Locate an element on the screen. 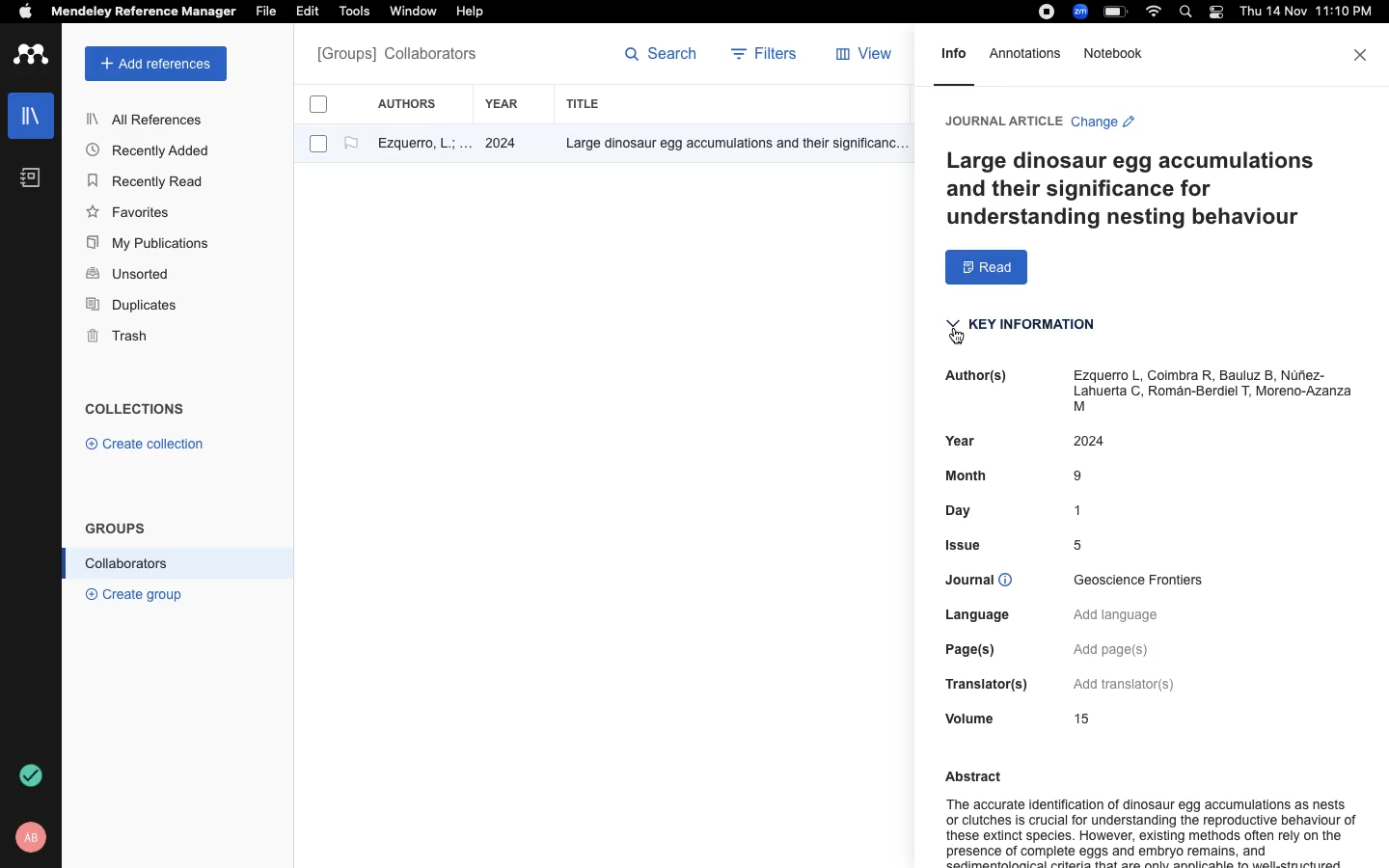 This screenshot has width=1389, height=868. My Publications is located at coordinates (149, 246).